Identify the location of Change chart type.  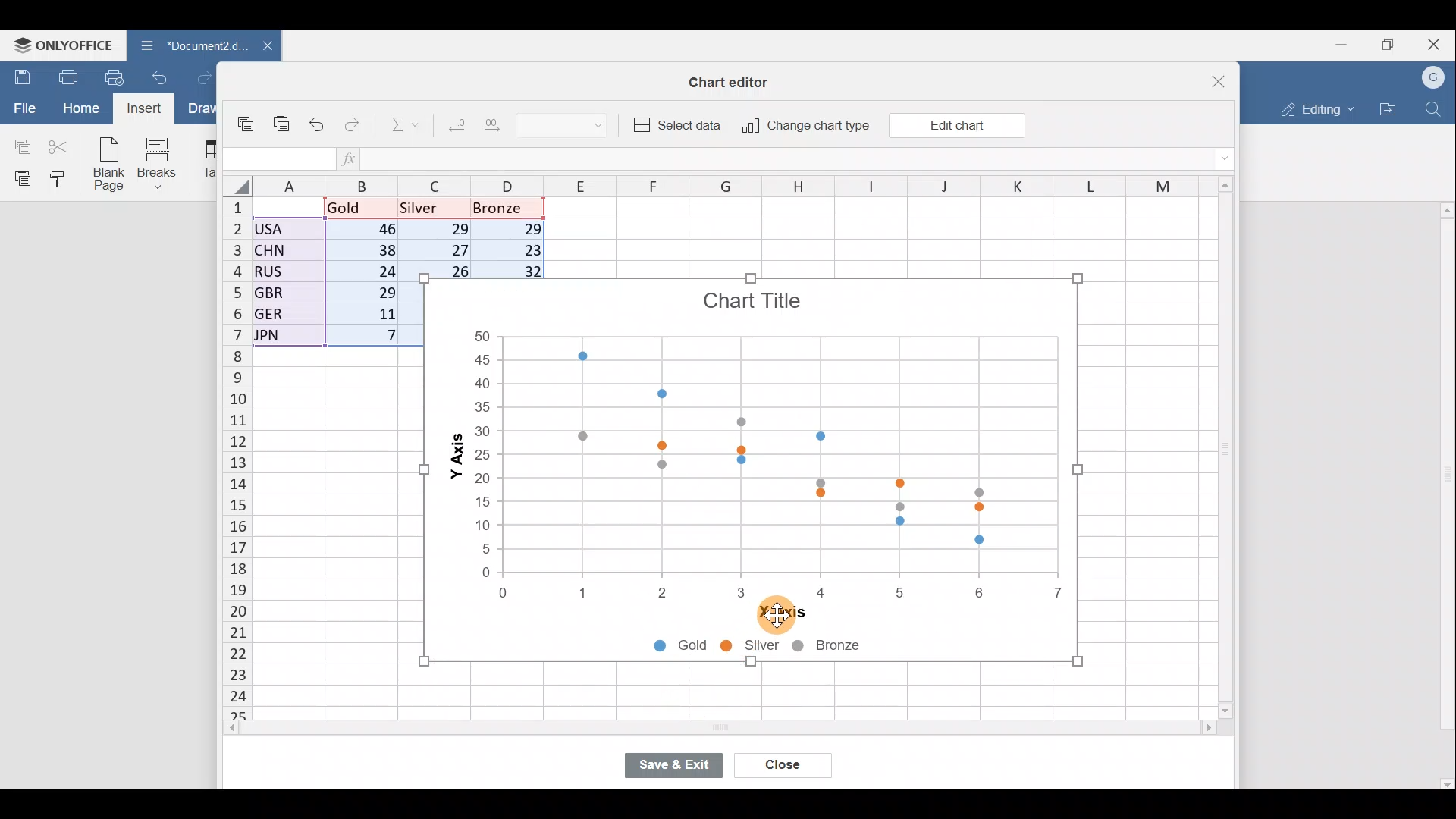
(805, 126).